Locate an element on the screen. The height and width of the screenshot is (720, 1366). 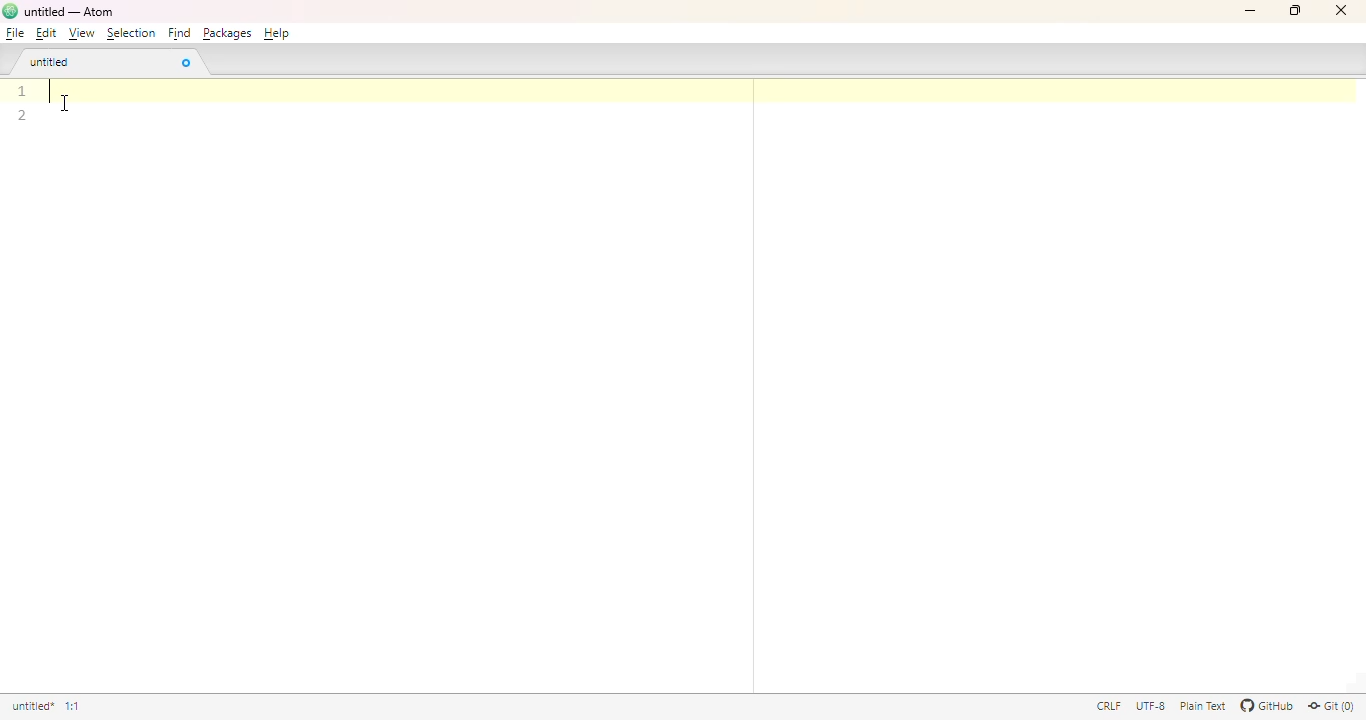
UTF-8 is located at coordinates (1150, 706).